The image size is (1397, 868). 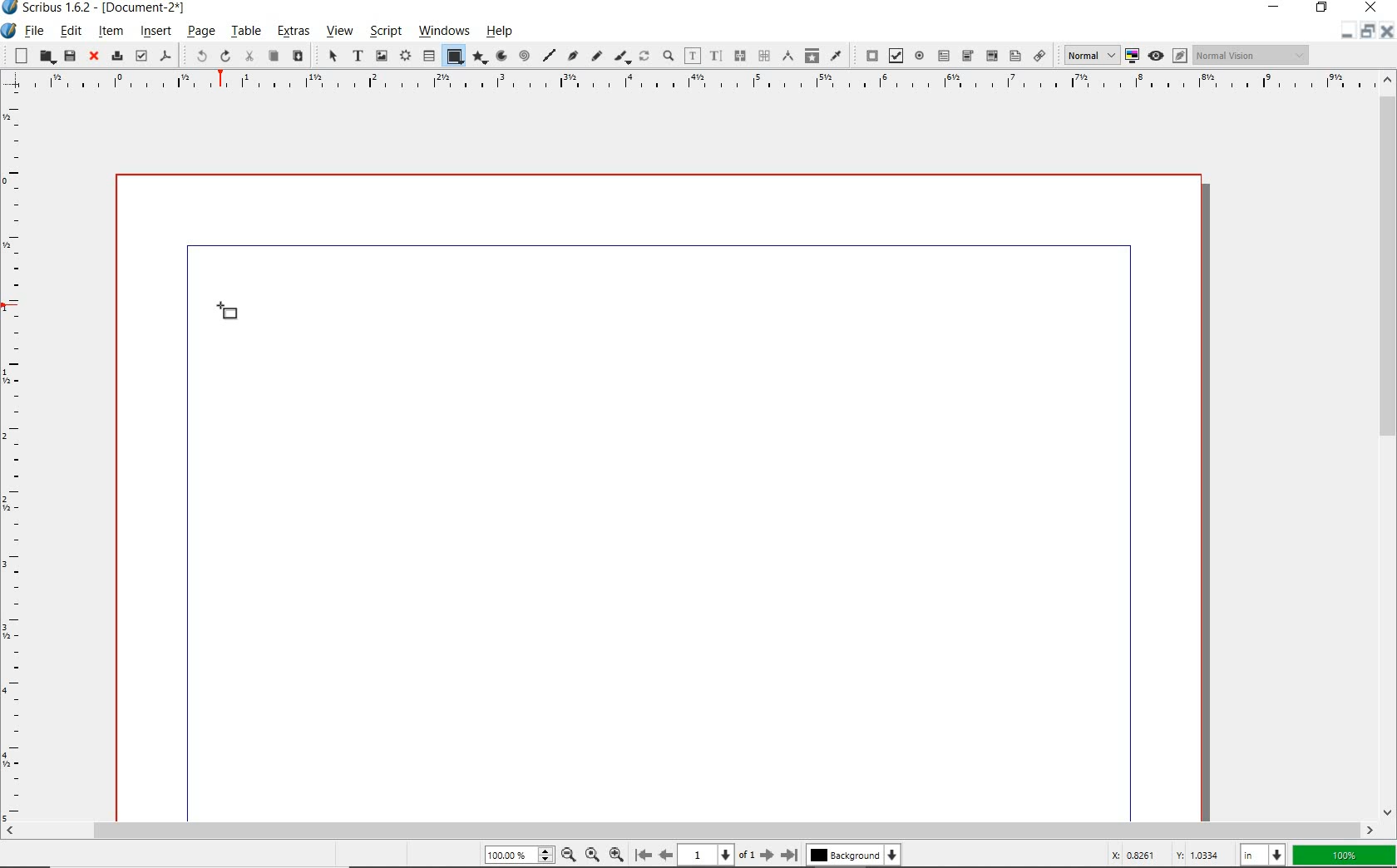 What do you see at coordinates (668, 56) in the screenshot?
I see `zoom in or zoom out` at bounding box center [668, 56].